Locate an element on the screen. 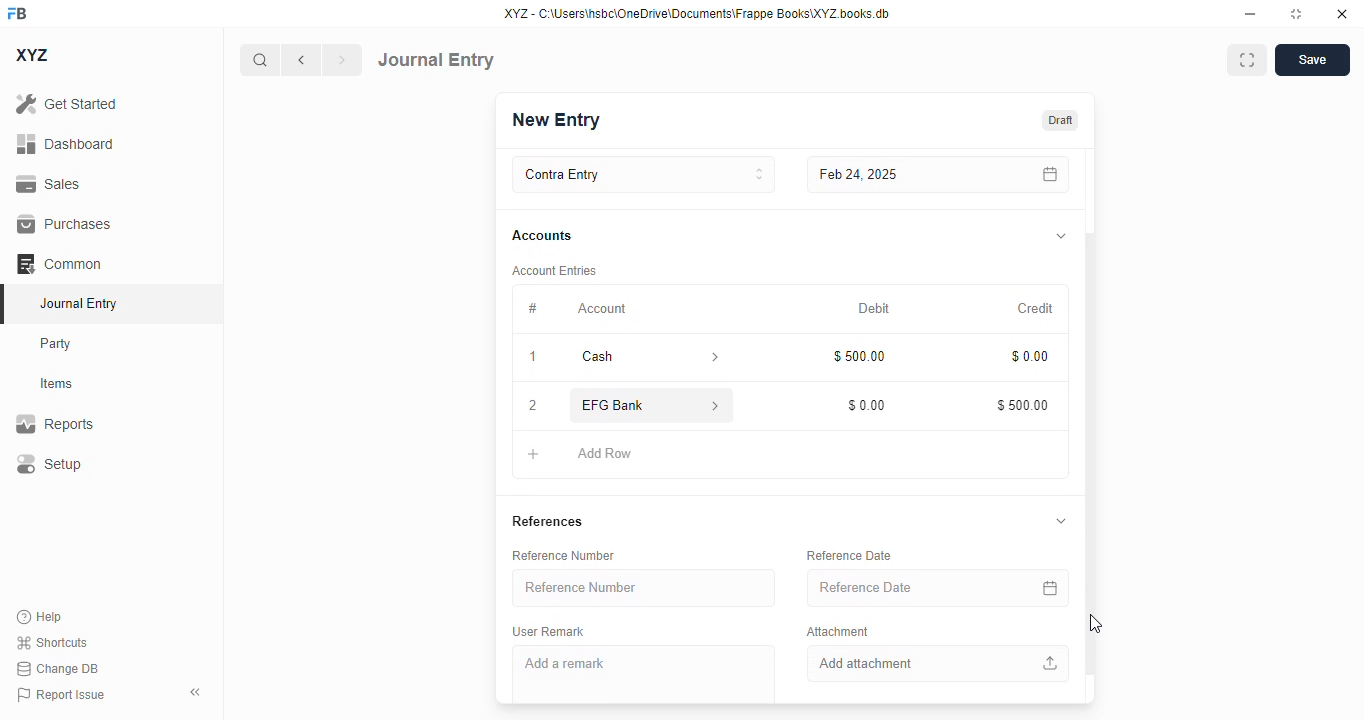  add a remark is located at coordinates (645, 674).